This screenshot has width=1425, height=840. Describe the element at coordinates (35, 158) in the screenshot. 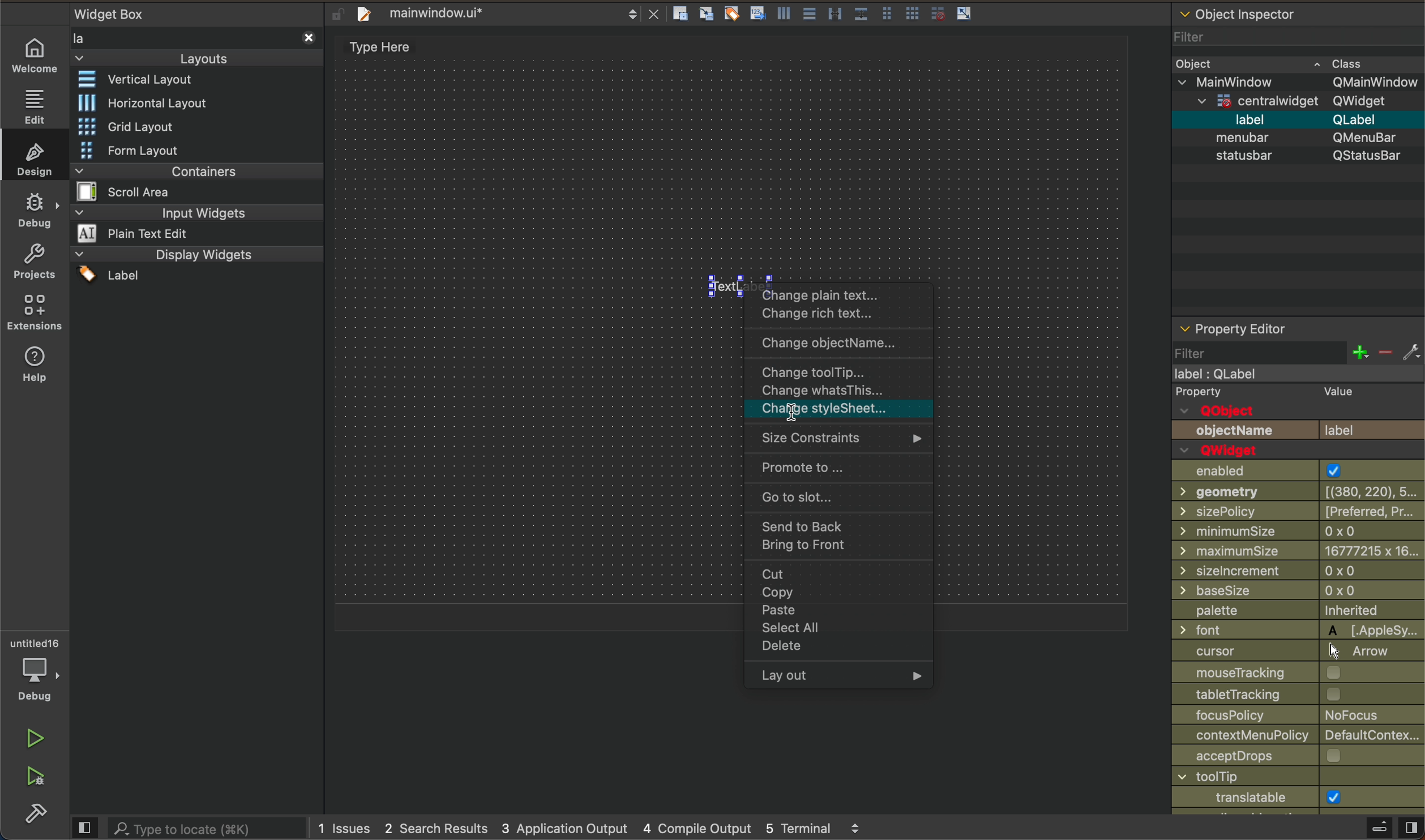

I see `design` at that location.